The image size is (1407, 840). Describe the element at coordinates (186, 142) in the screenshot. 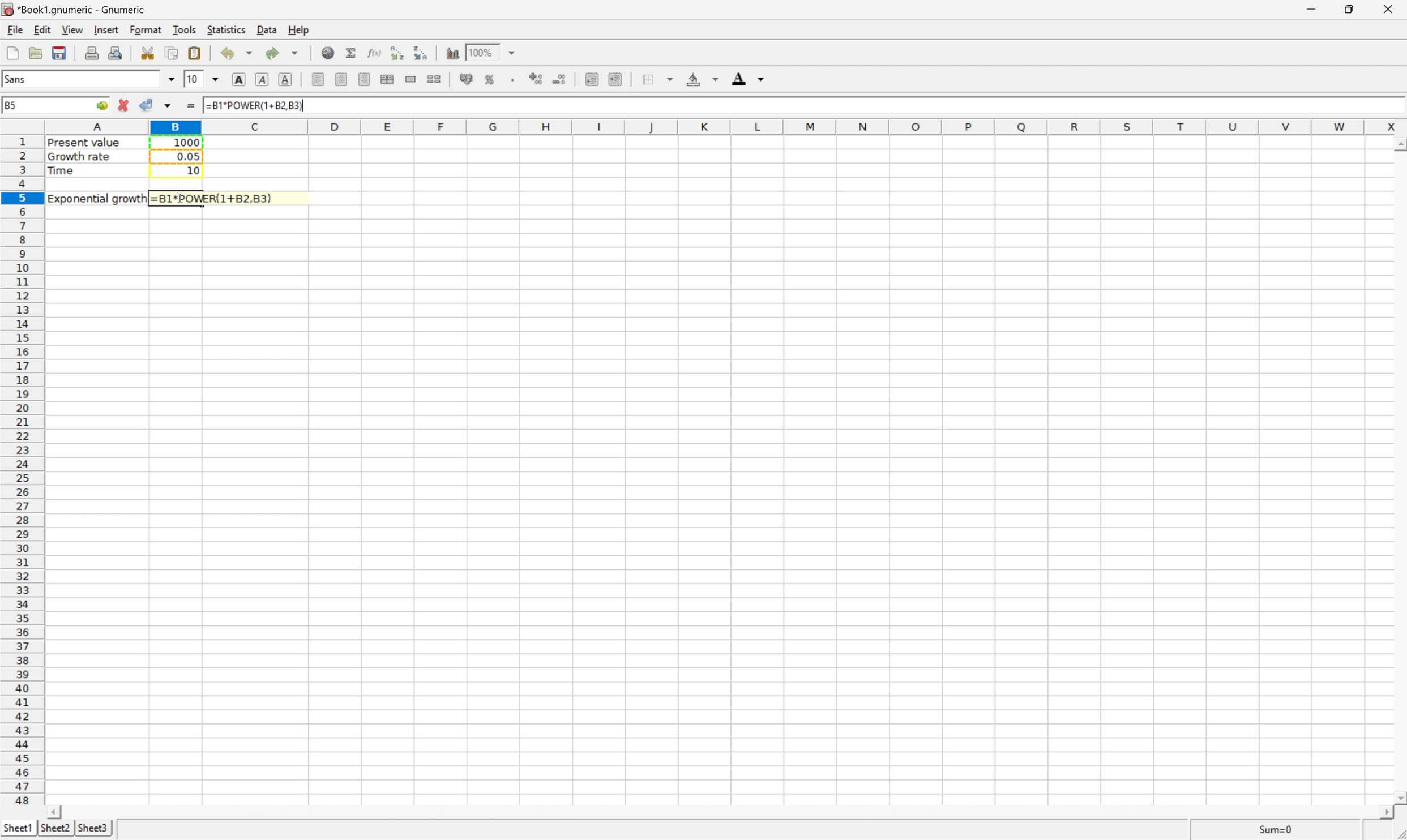

I see `1000` at that location.